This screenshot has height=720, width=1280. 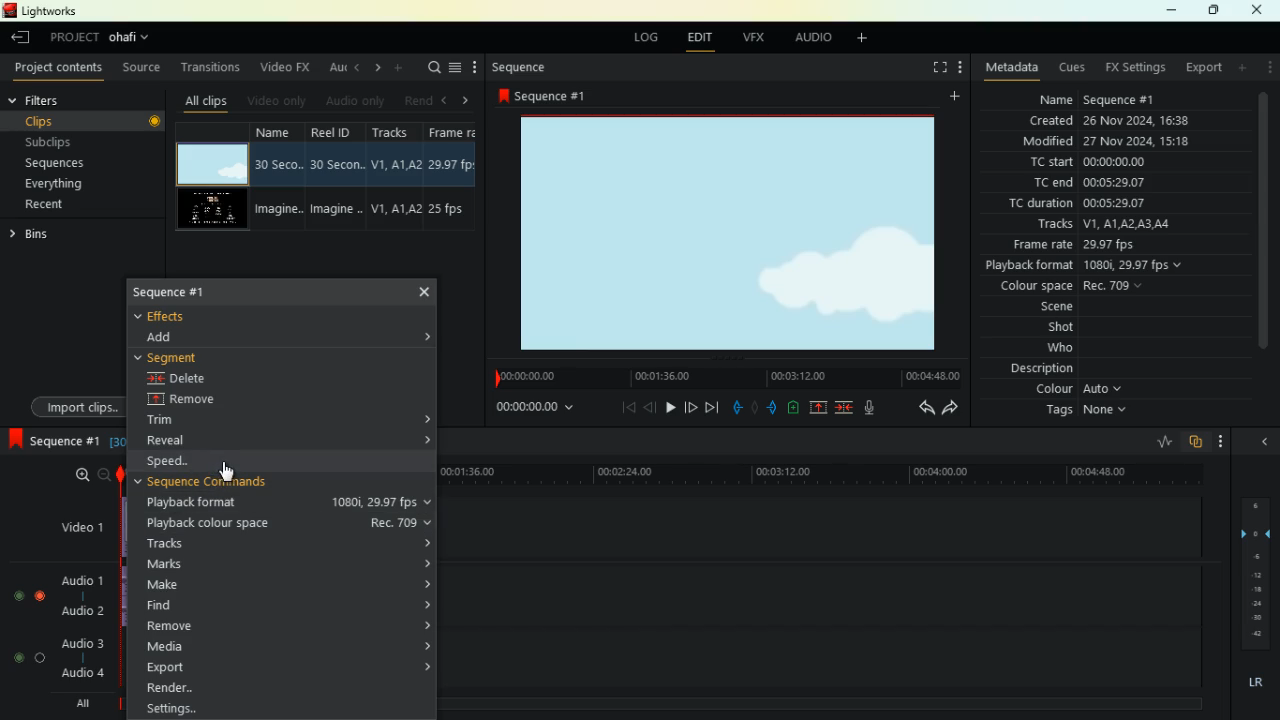 What do you see at coordinates (1244, 67) in the screenshot?
I see `add` at bounding box center [1244, 67].